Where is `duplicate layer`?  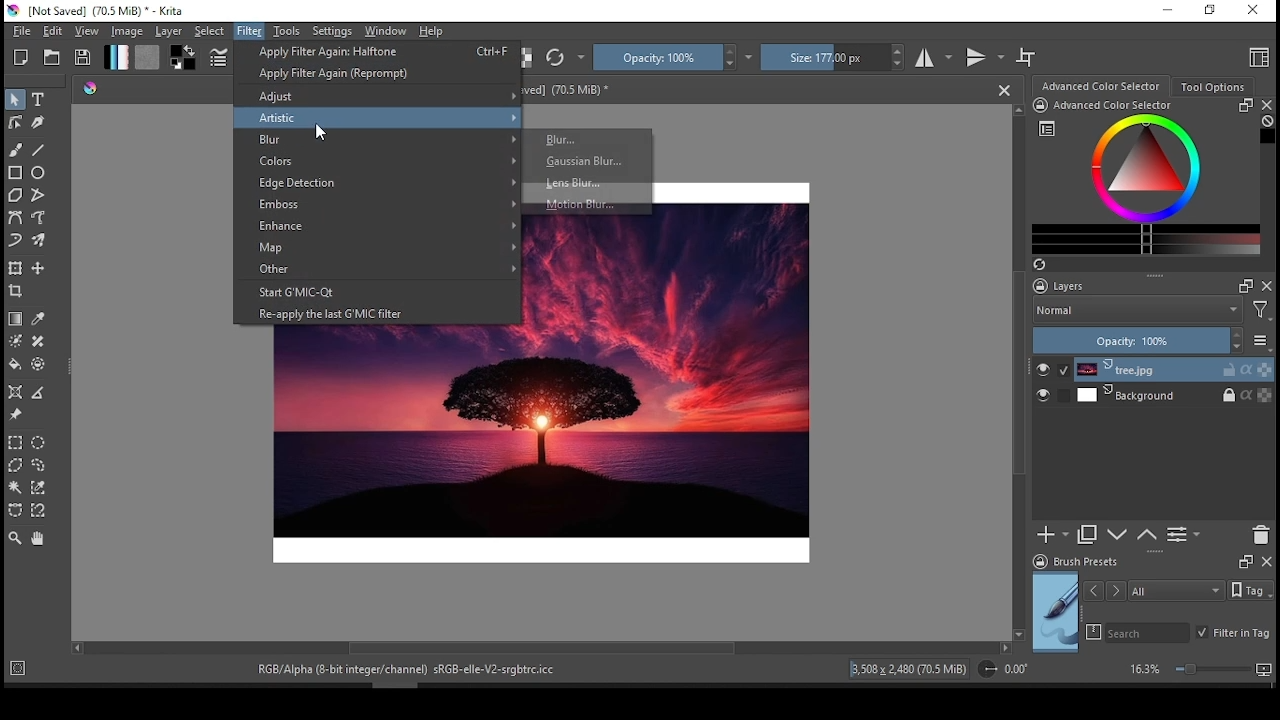 duplicate layer is located at coordinates (1087, 536).